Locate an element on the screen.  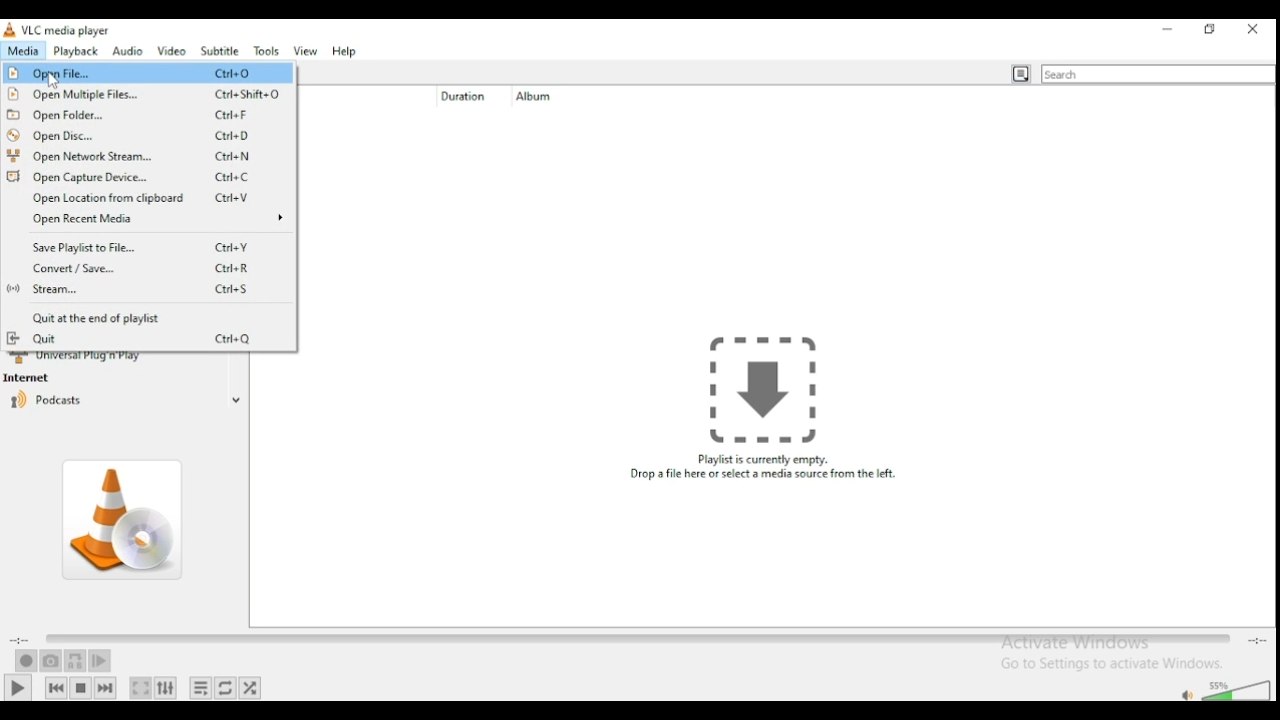
save playlist to file is located at coordinates (145, 244).